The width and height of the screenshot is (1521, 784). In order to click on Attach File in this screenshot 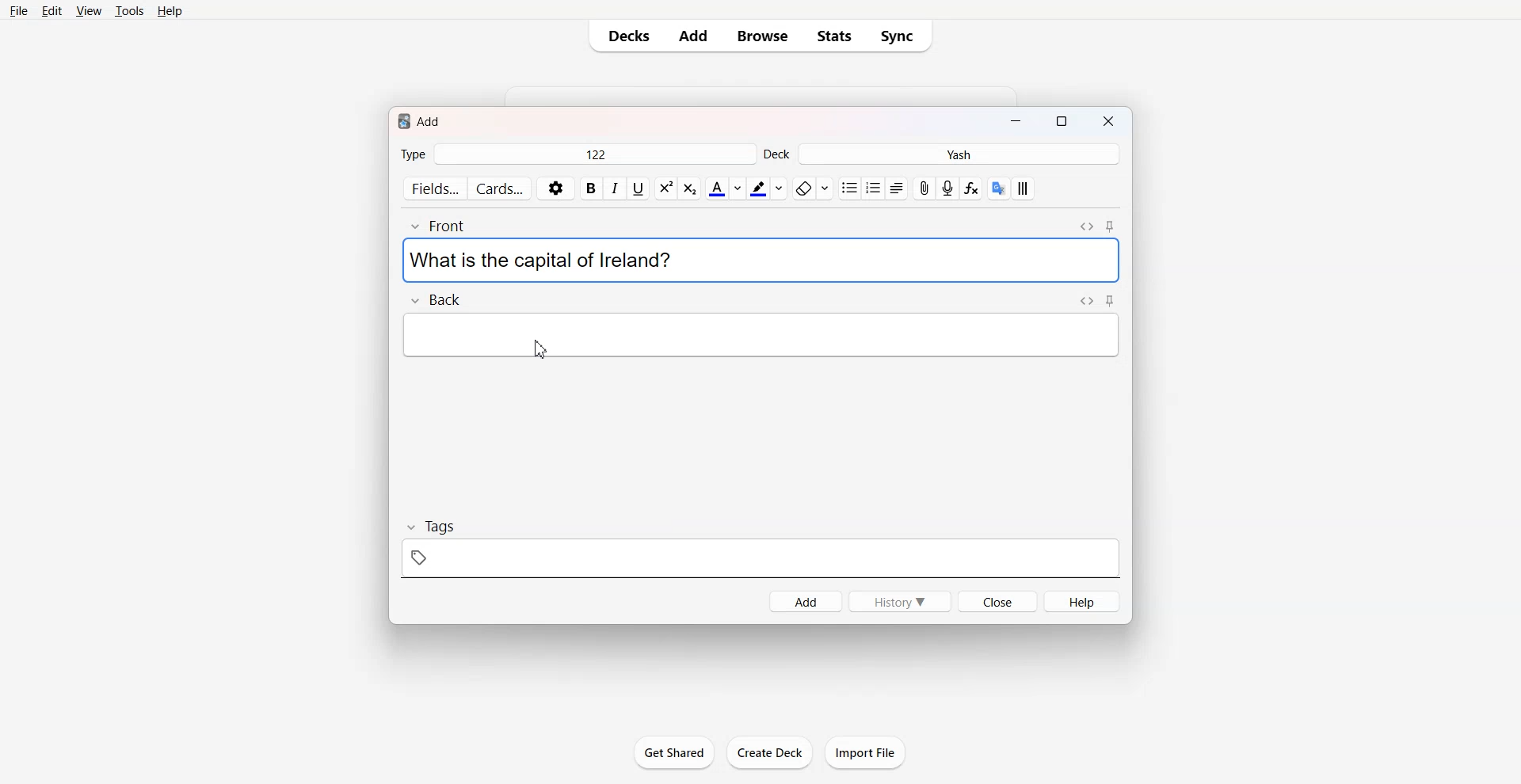, I will do `click(924, 188)`.